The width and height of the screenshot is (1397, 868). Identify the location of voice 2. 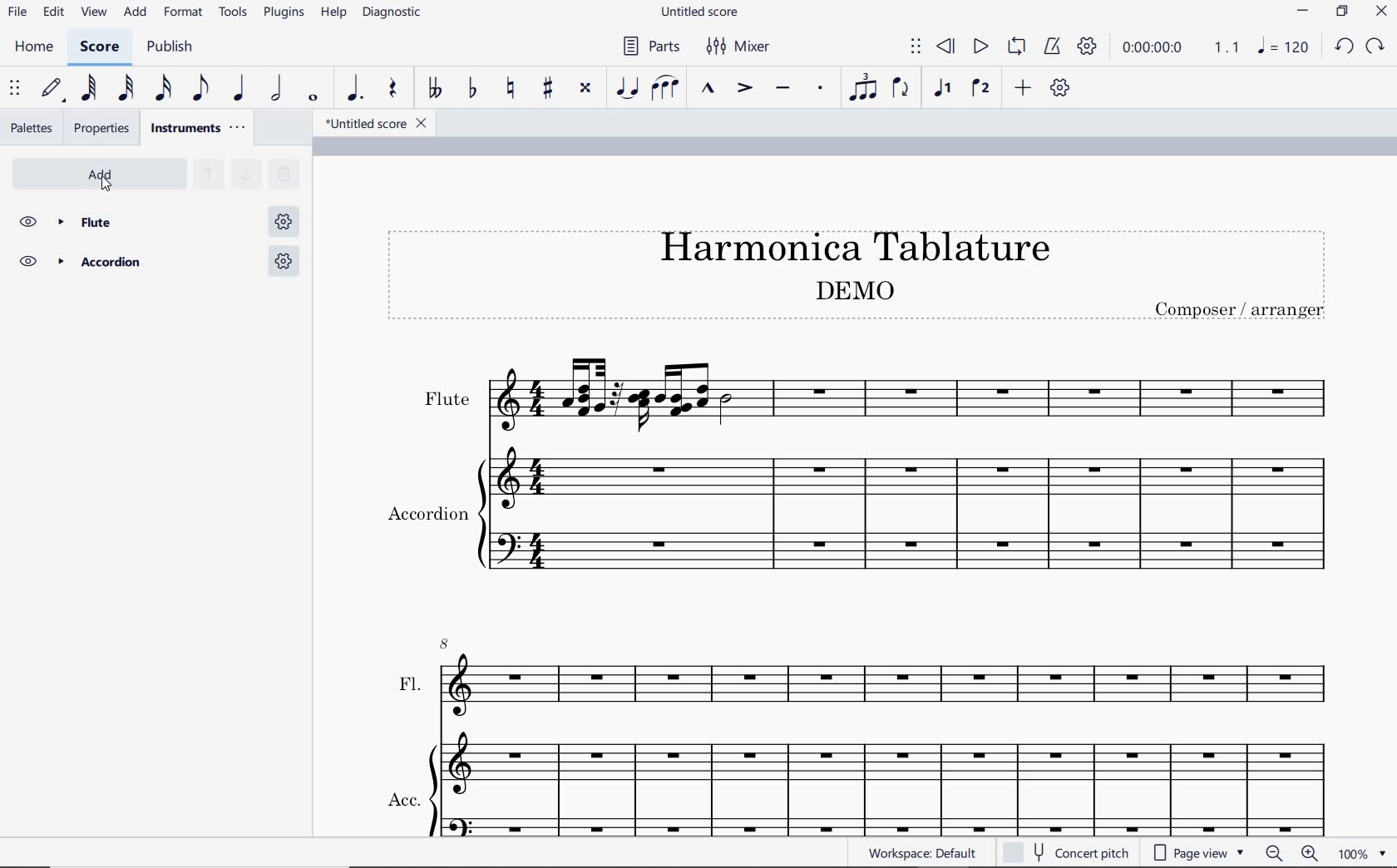
(980, 89).